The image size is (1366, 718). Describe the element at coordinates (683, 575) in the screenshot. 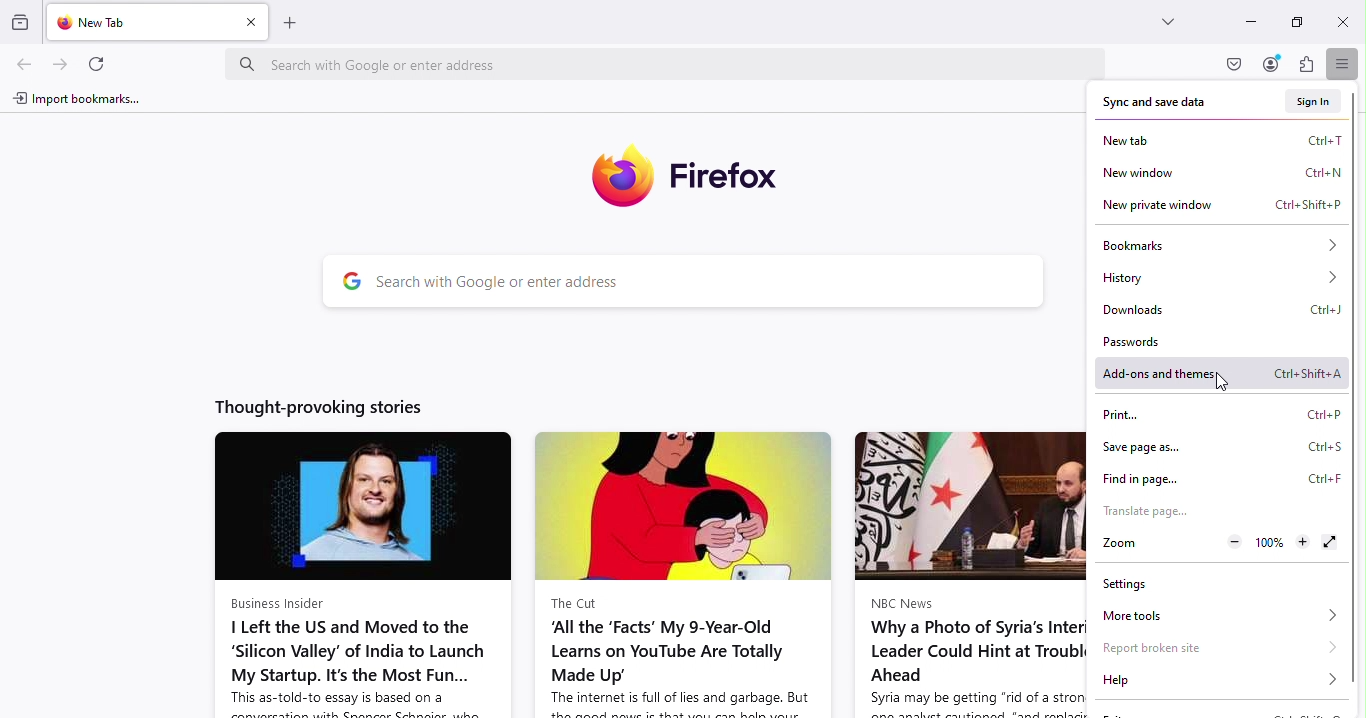

I see `news article from the cut` at that location.